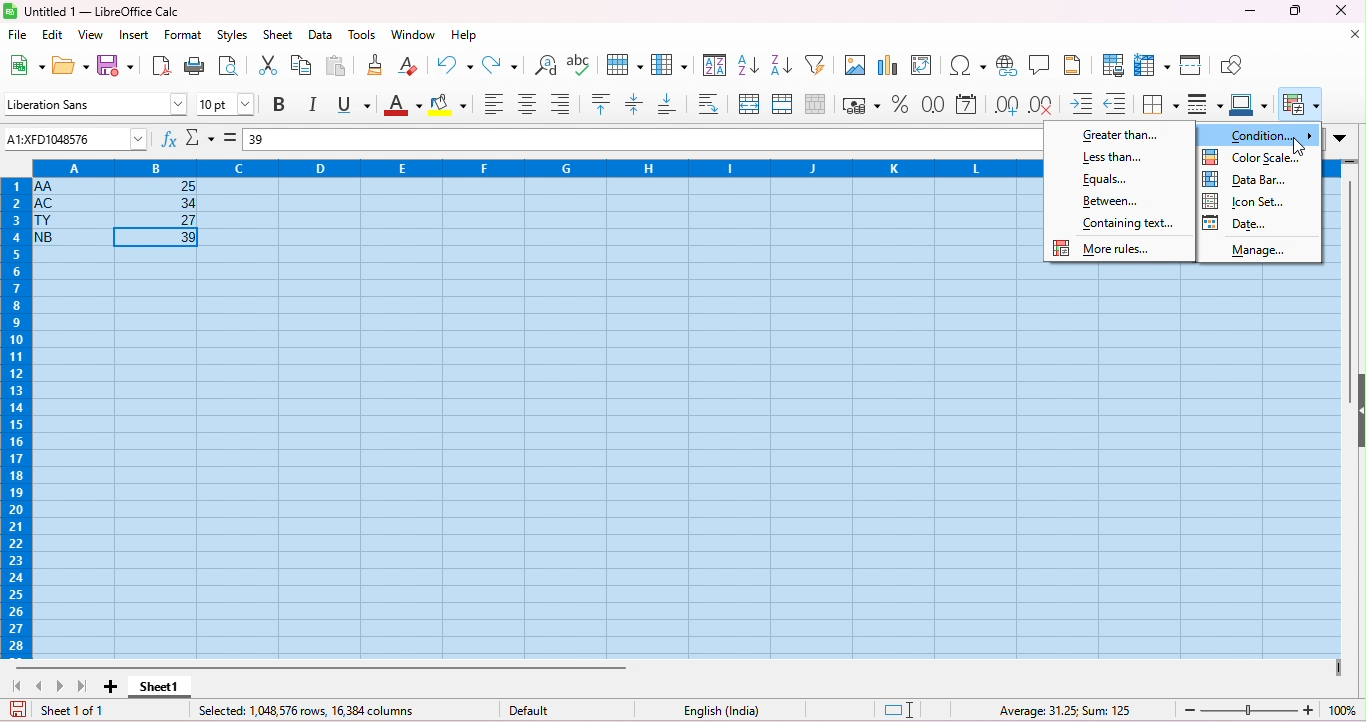 The width and height of the screenshot is (1366, 722). I want to click on align center, so click(528, 105).